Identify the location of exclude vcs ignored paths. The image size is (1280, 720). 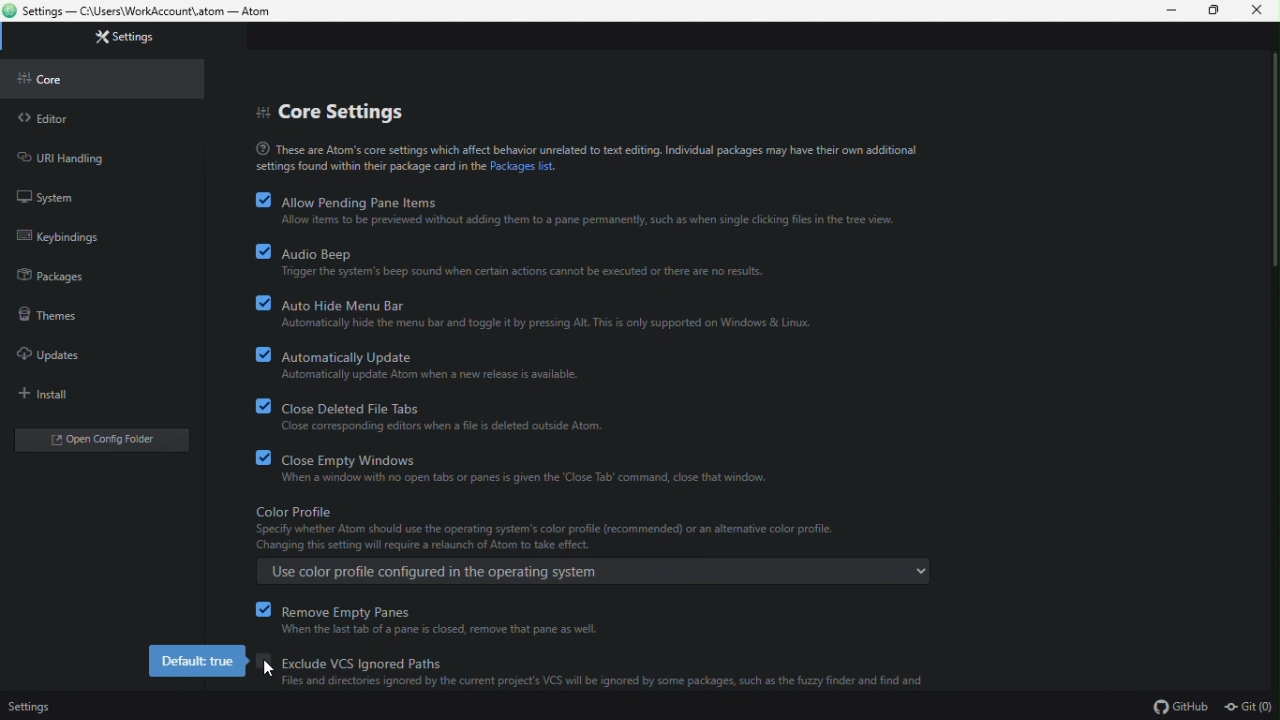
(604, 672).